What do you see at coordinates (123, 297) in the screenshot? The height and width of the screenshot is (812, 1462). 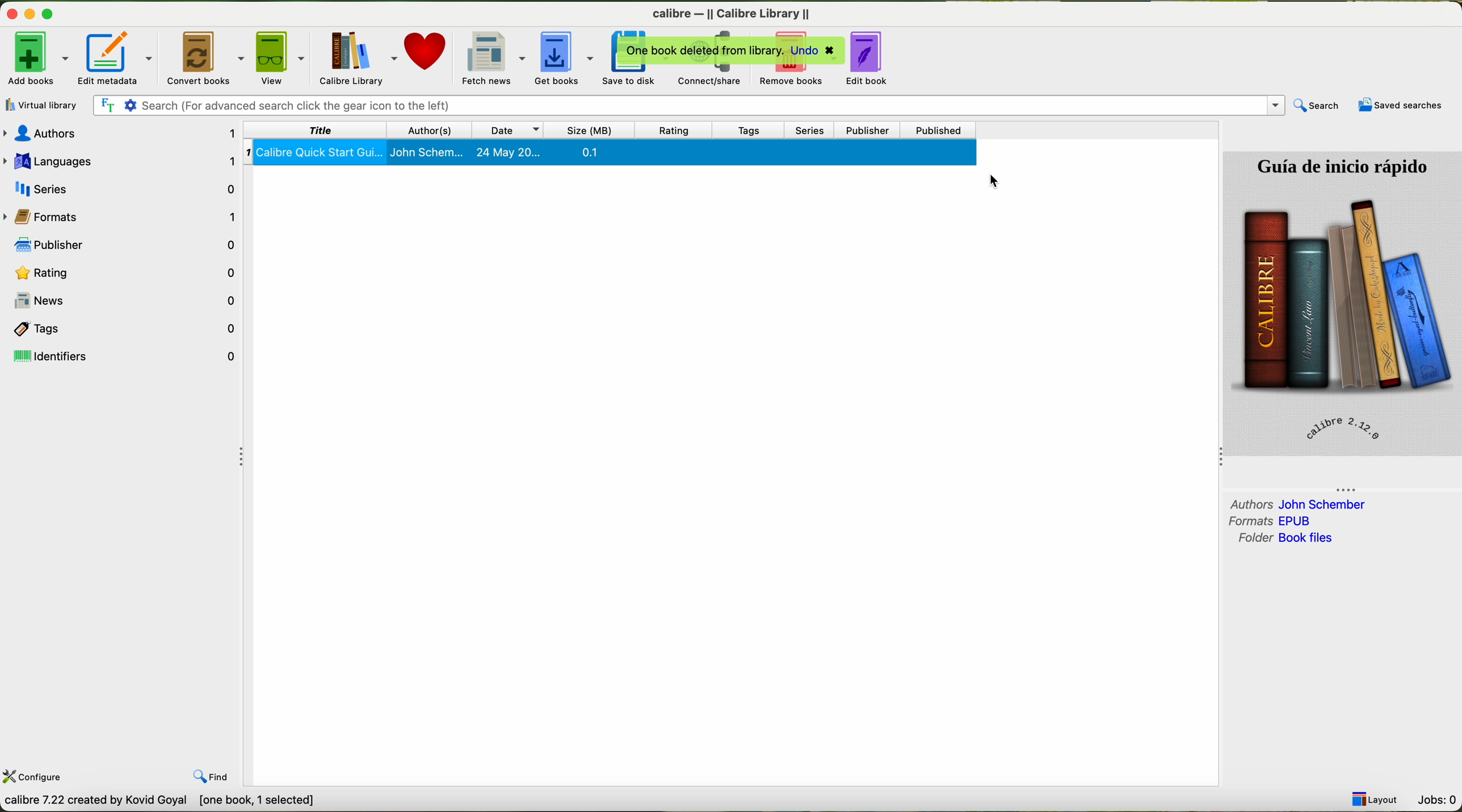 I see `news` at bounding box center [123, 297].